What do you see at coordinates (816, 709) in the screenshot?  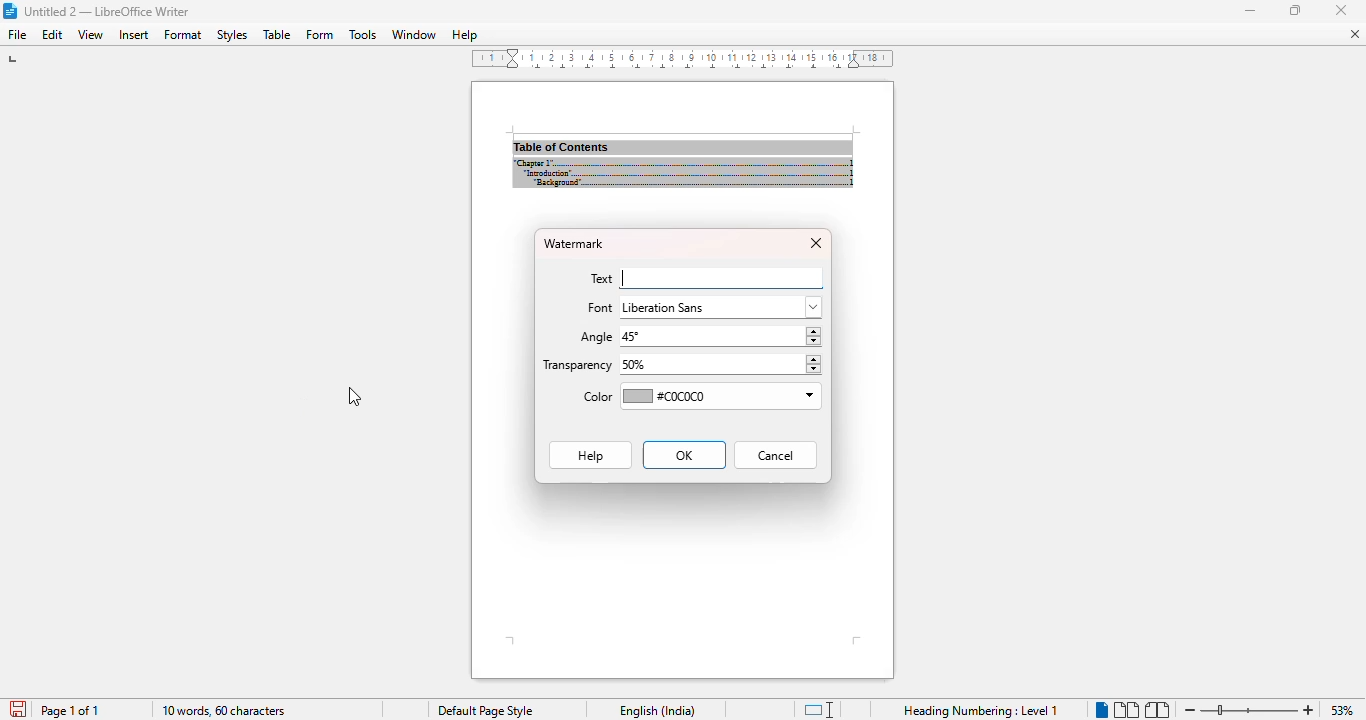 I see `standard selection` at bounding box center [816, 709].